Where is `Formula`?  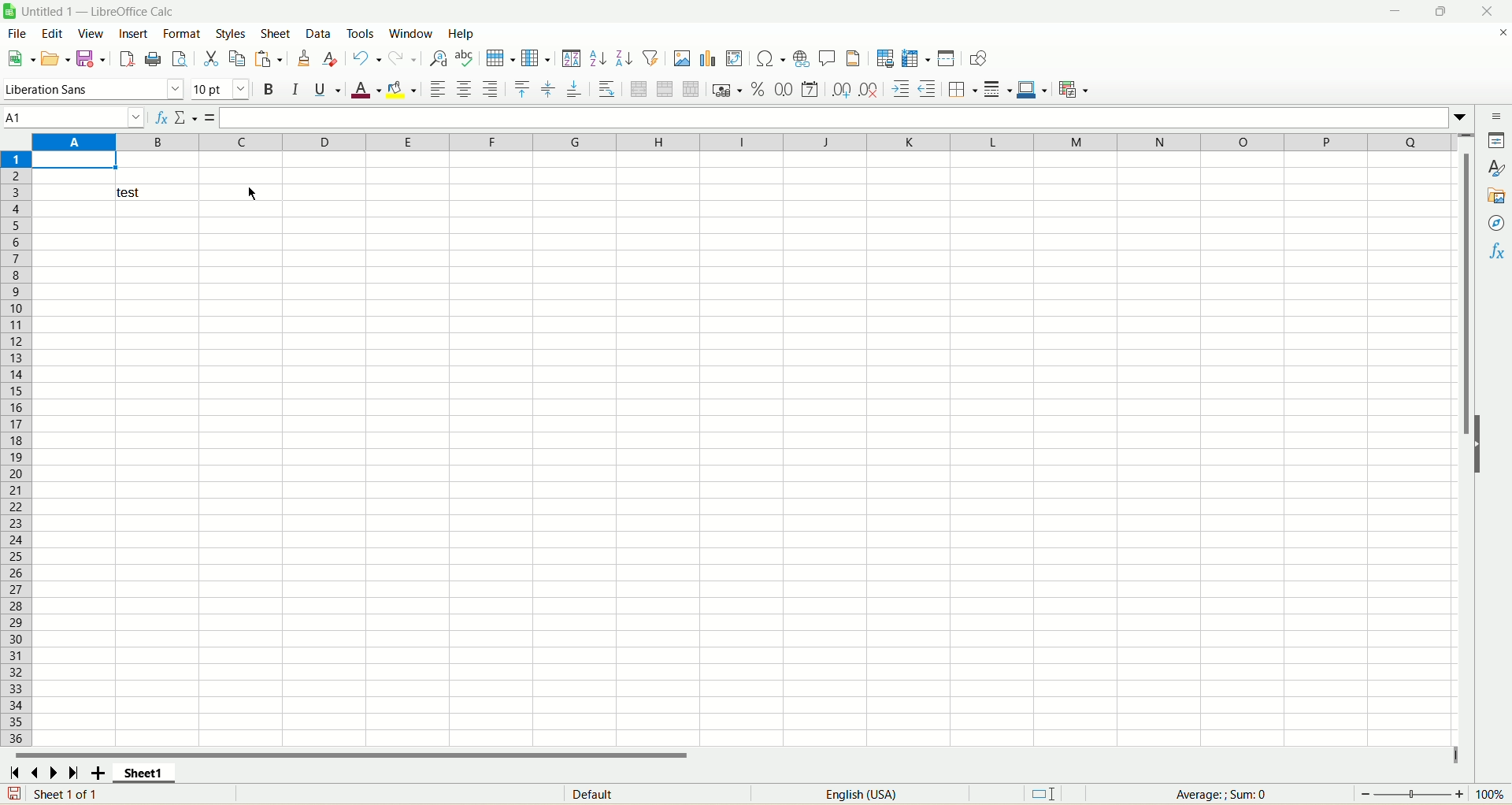 Formula is located at coordinates (210, 118).